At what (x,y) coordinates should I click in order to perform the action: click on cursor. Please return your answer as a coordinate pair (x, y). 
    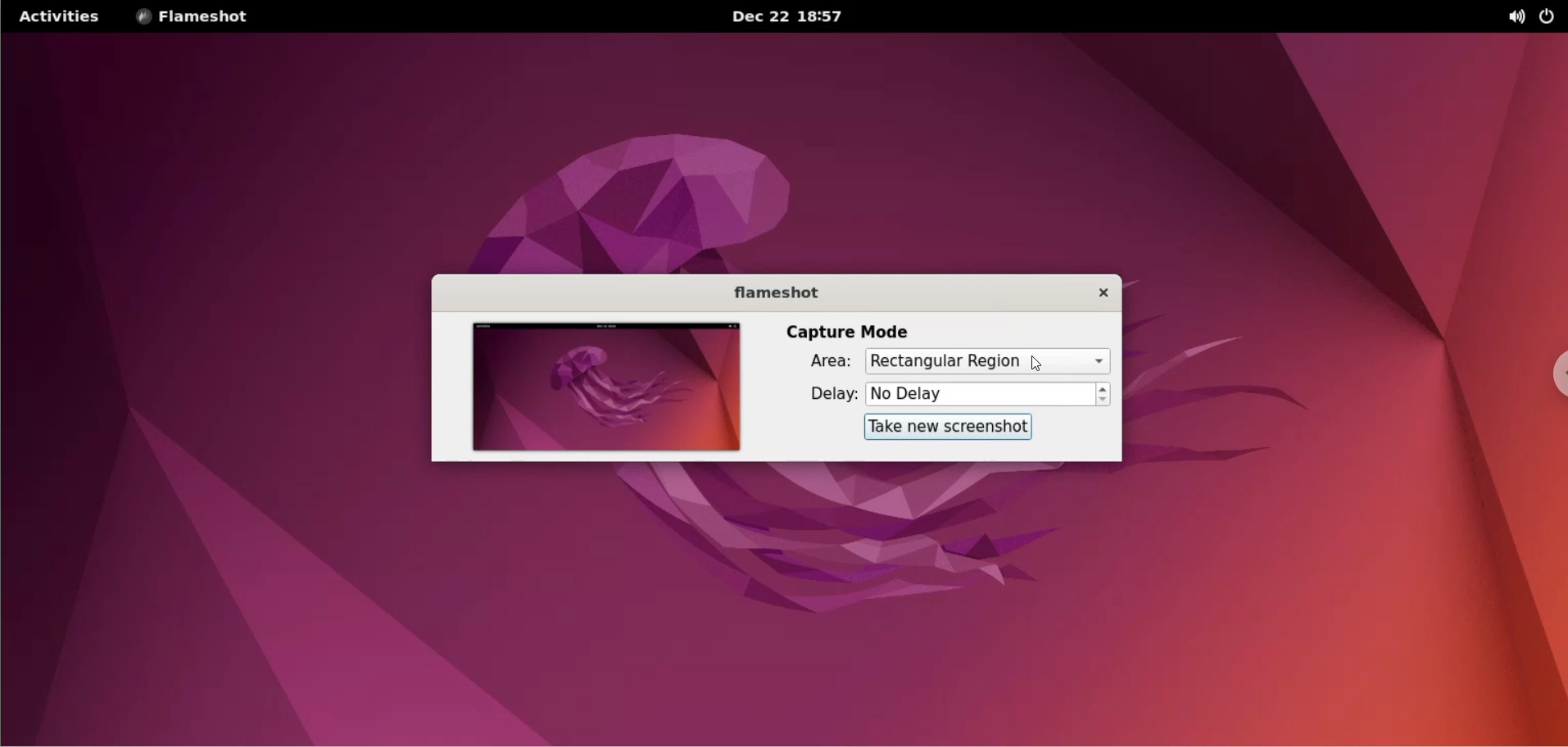
    Looking at the image, I should click on (1040, 362).